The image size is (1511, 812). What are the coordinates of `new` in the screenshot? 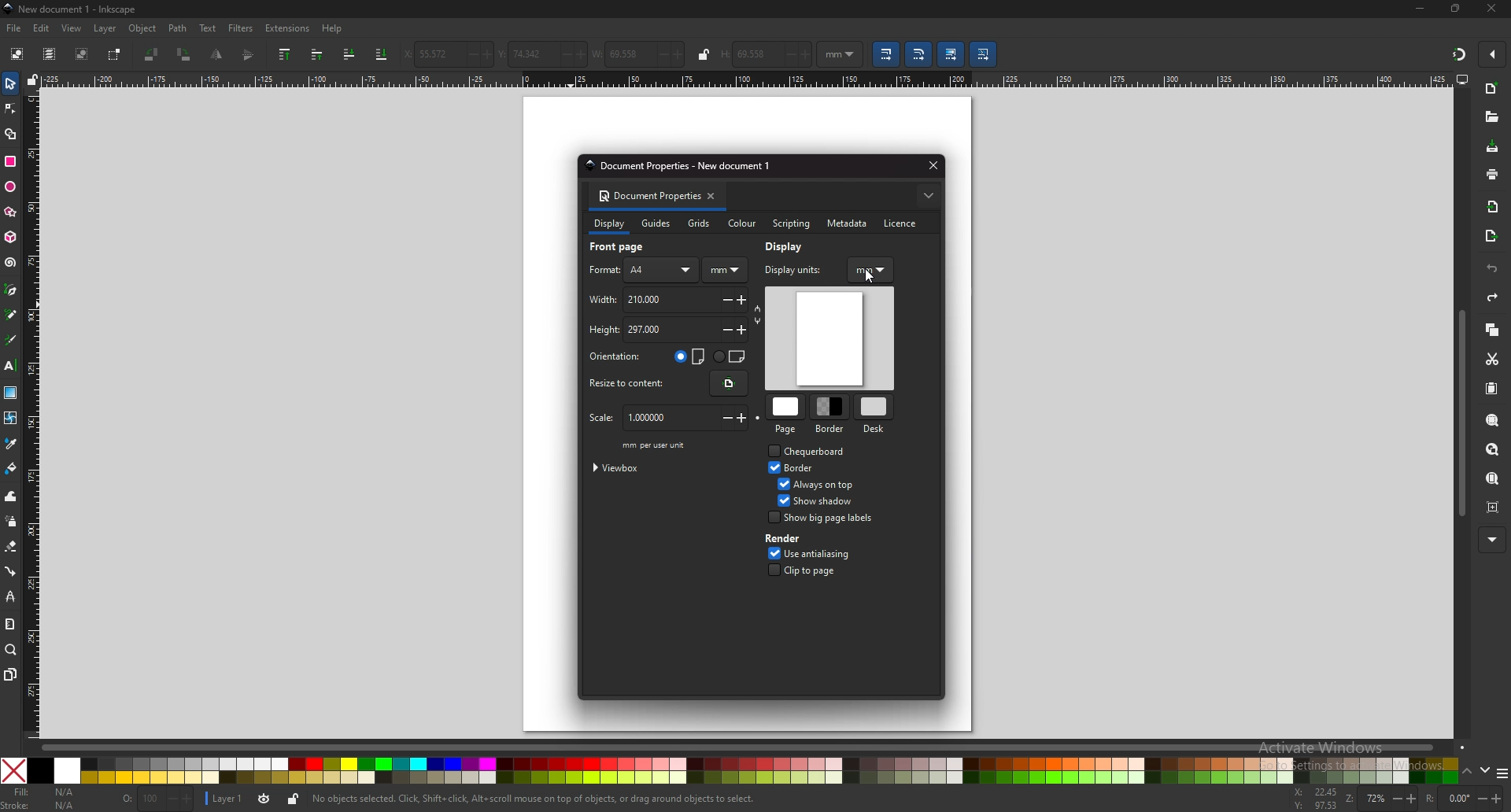 It's located at (1492, 89).